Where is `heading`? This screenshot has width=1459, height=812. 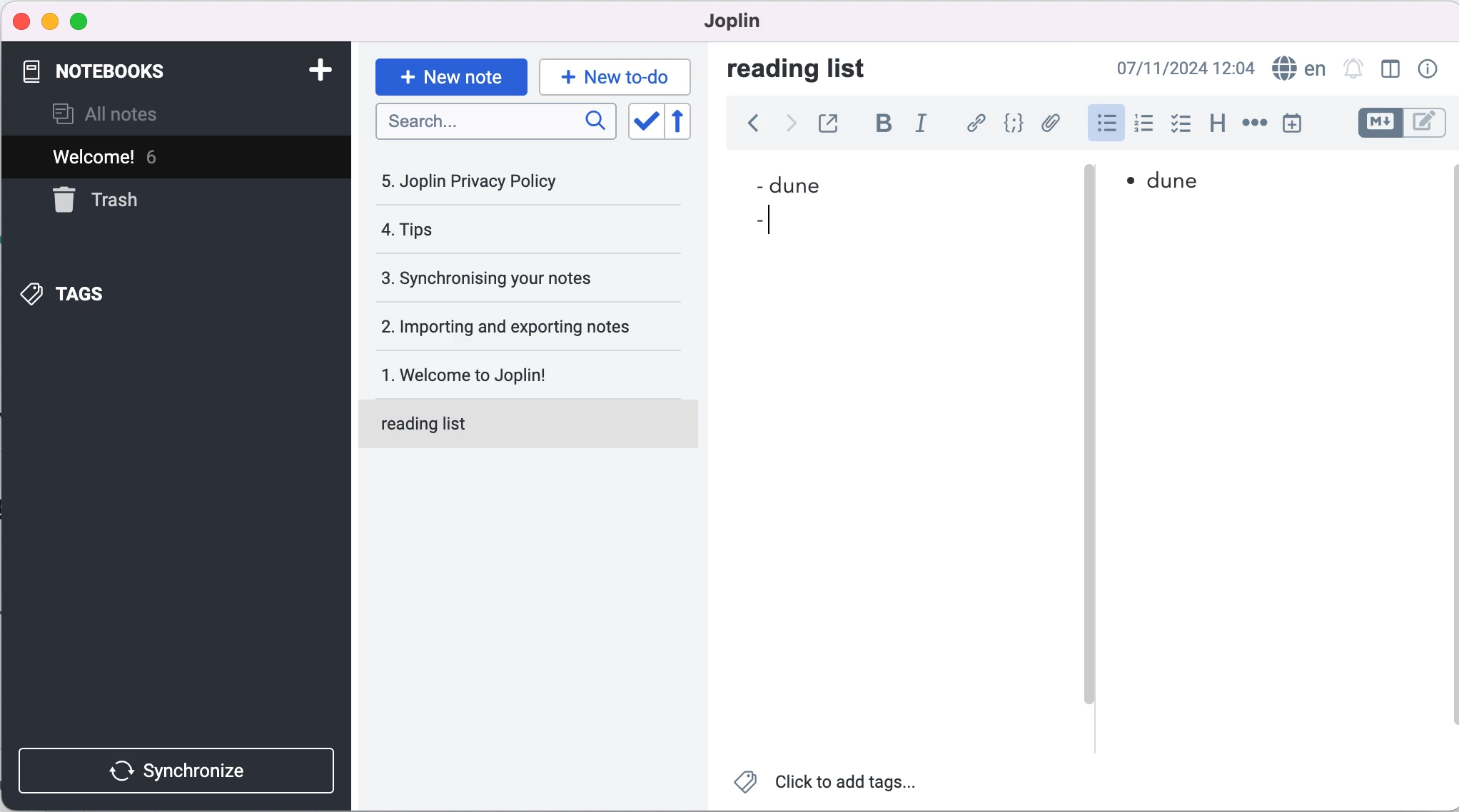
heading is located at coordinates (1218, 127).